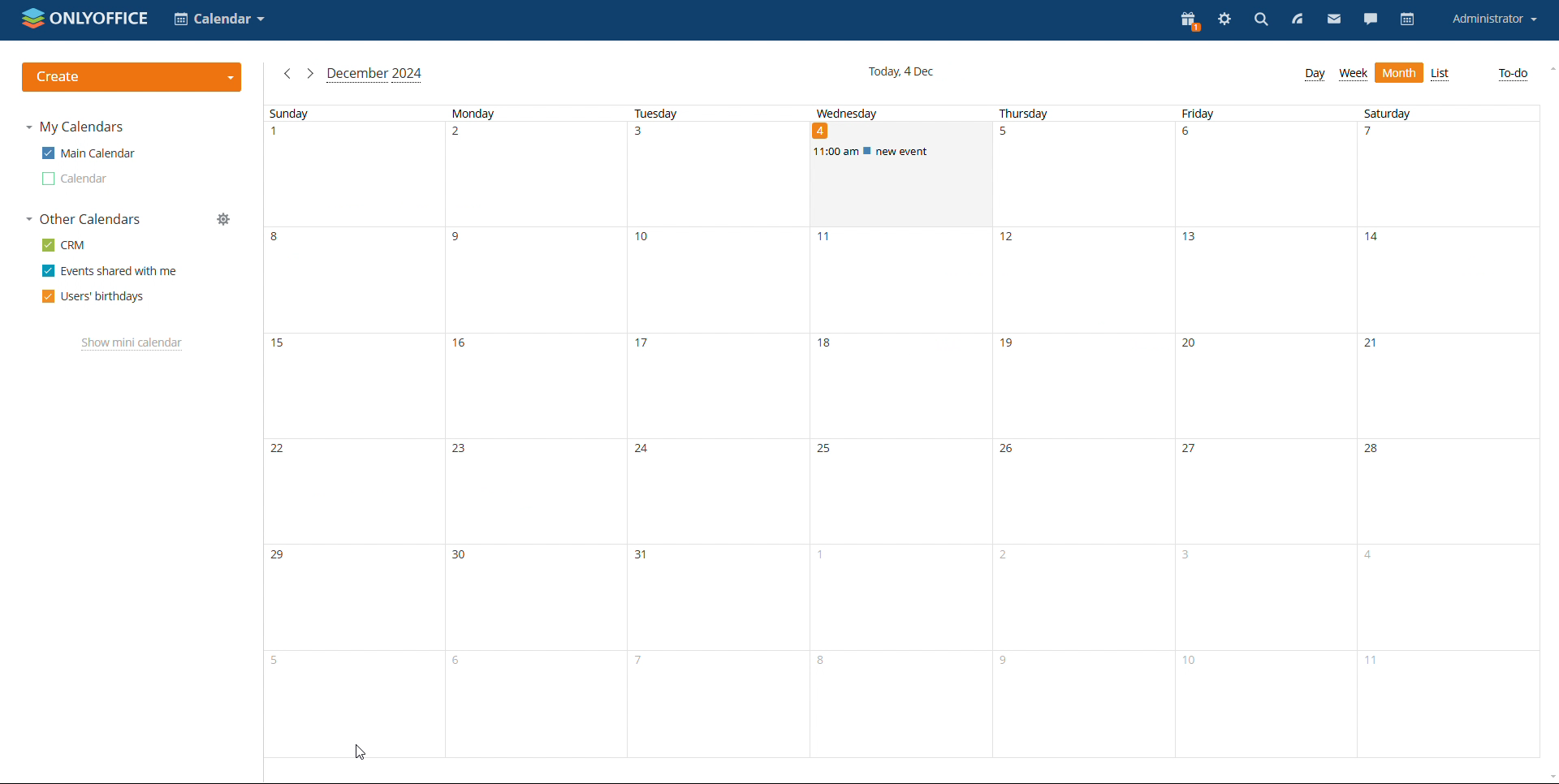 Image resolution: width=1559 pixels, height=784 pixels. What do you see at coordinates (359, 752) in the screenshot?
I see `cursor` at bounding box center [359, 752].